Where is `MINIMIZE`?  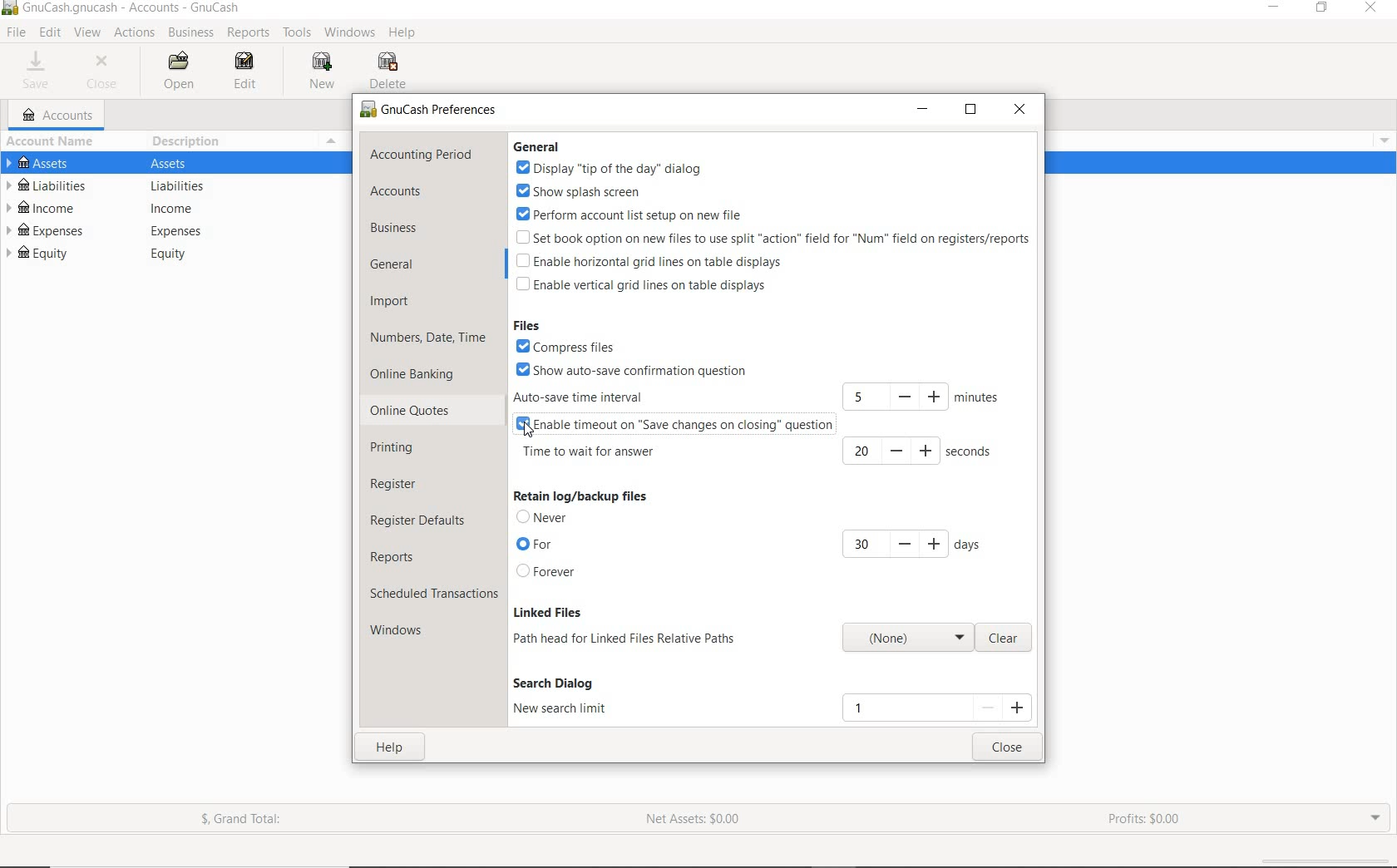
MINIMIZE is located at coordinates (923, 111).